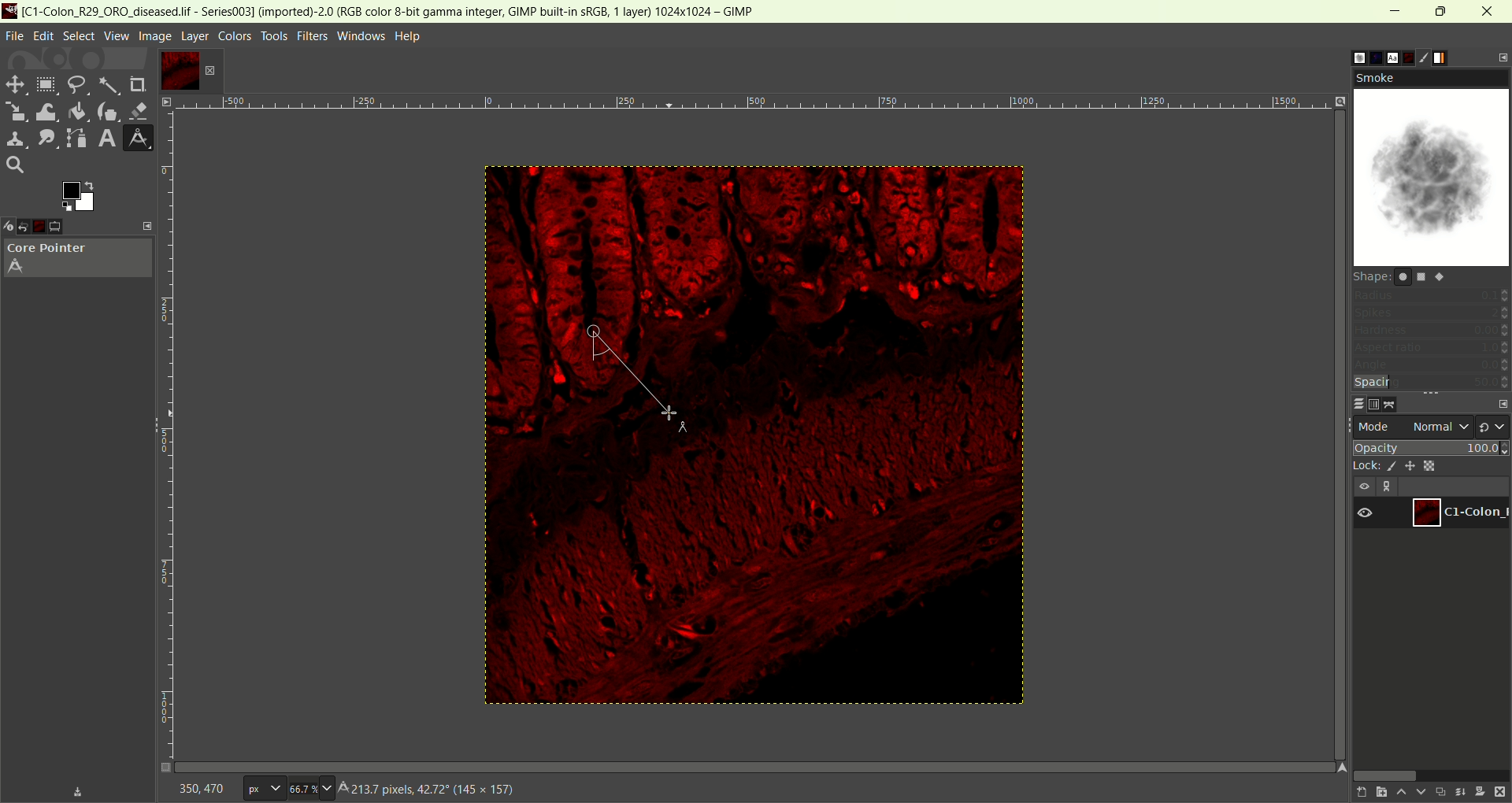 The width and height of the screenshot is (1512, 803). I want to click on mode, so click(1376, 427).